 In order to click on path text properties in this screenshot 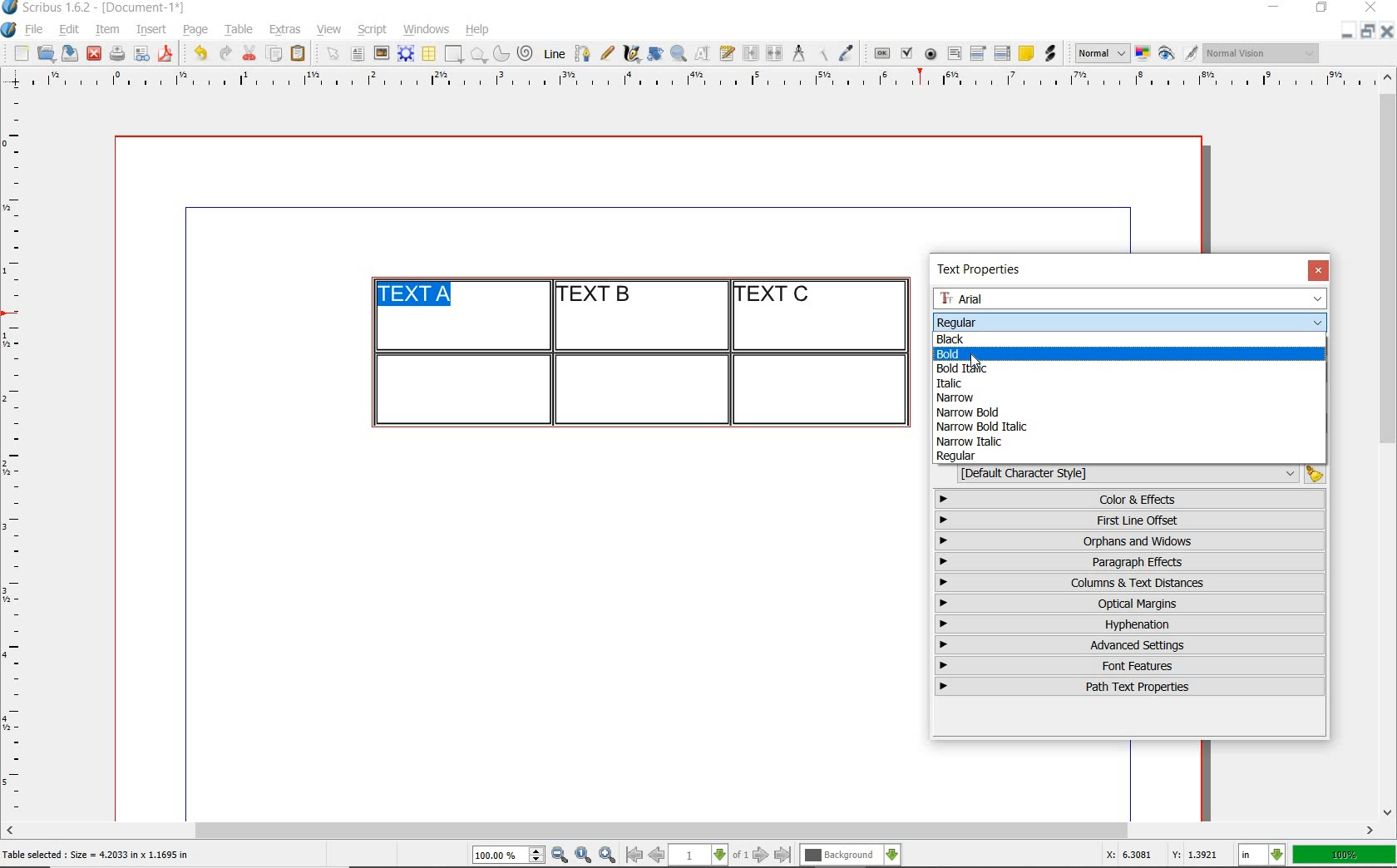, I will do `click(1128, 687)`.